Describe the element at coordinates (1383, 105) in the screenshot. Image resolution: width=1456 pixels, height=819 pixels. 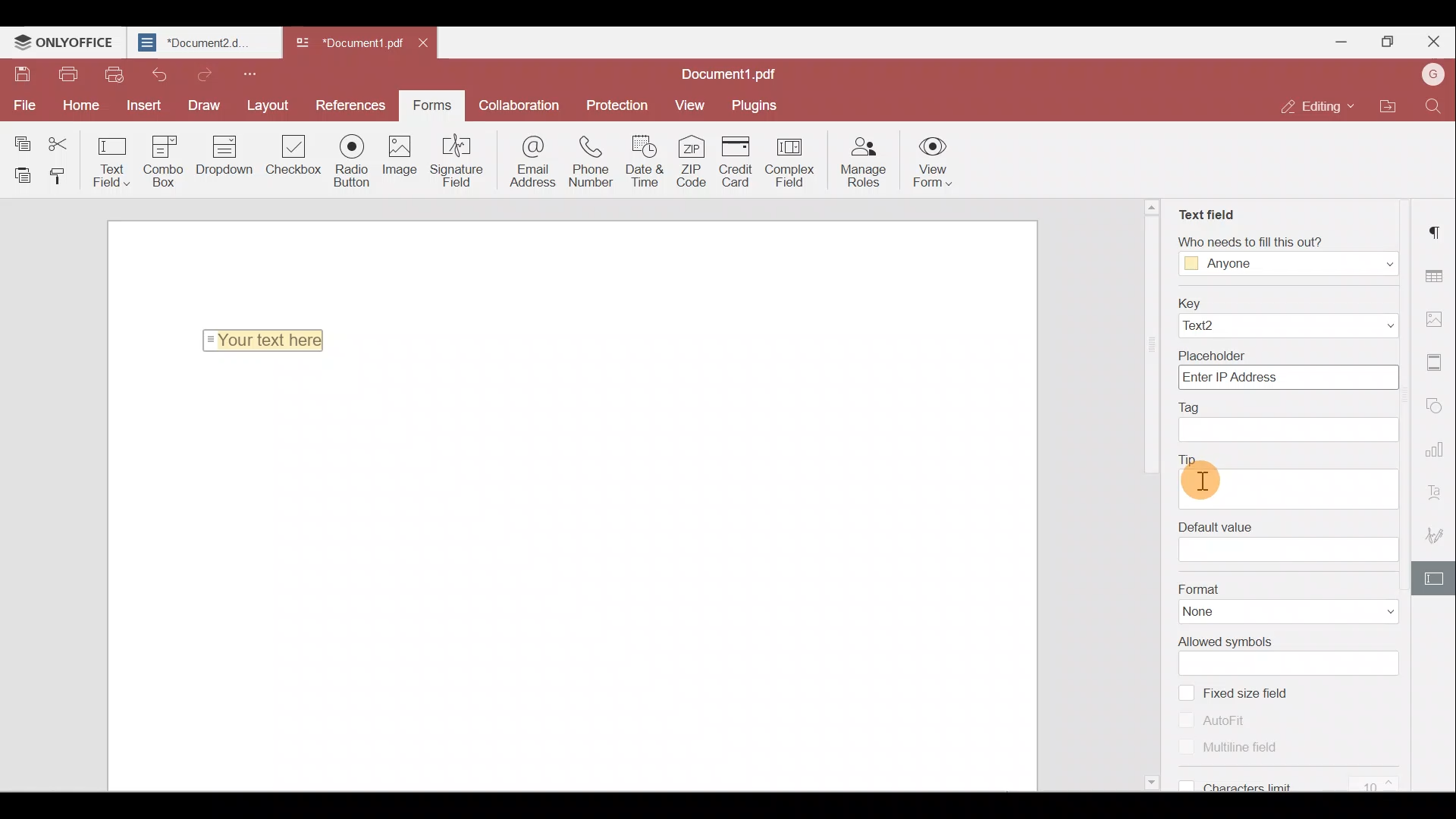
I see `Open file location` at that location.